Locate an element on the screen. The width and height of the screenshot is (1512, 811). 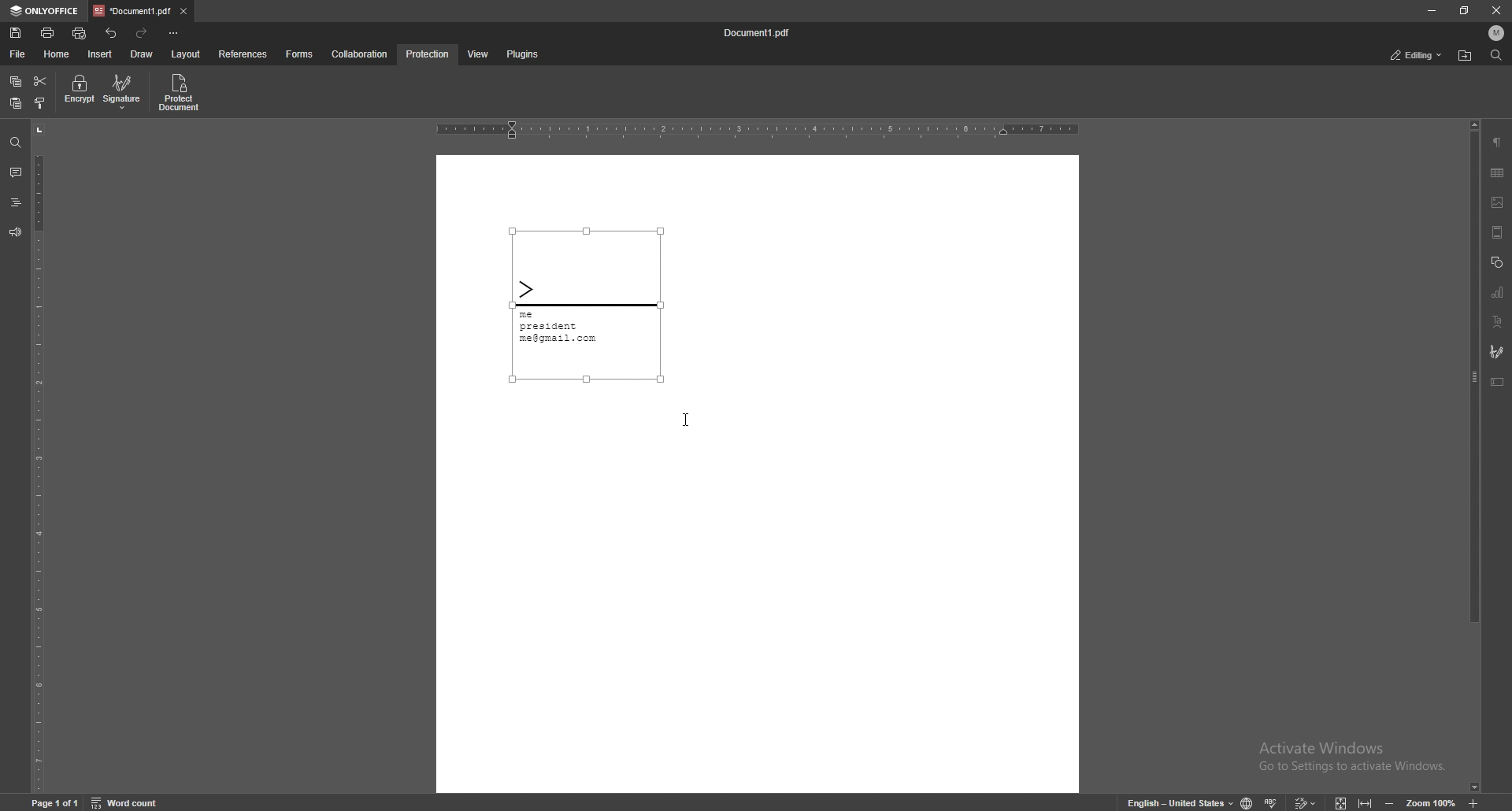
chart is located at coordinates (1498, 293).